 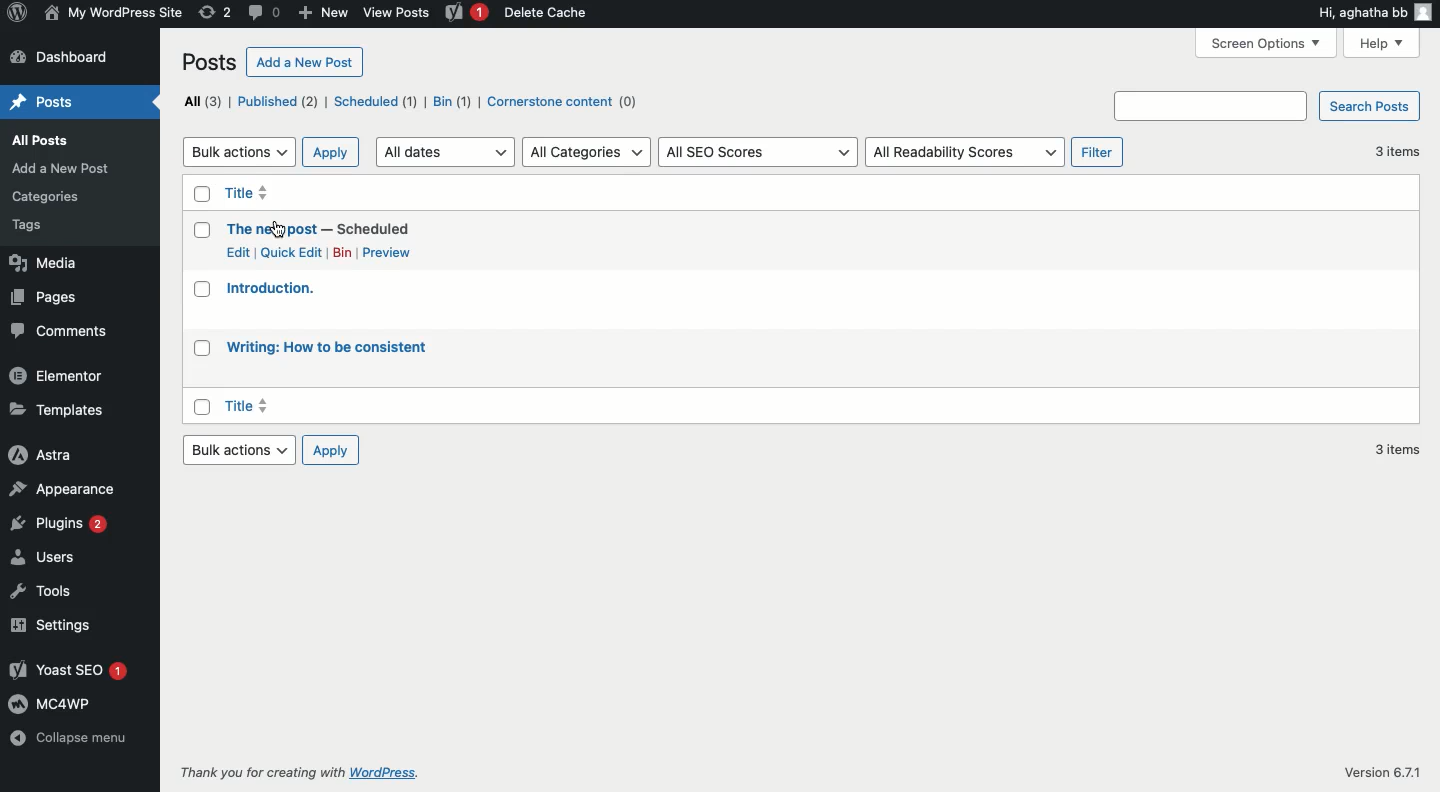 What do you see at coordinates (548, 12) in the screenshot?
I see `Delete cache` at bounding box center [548, 12].